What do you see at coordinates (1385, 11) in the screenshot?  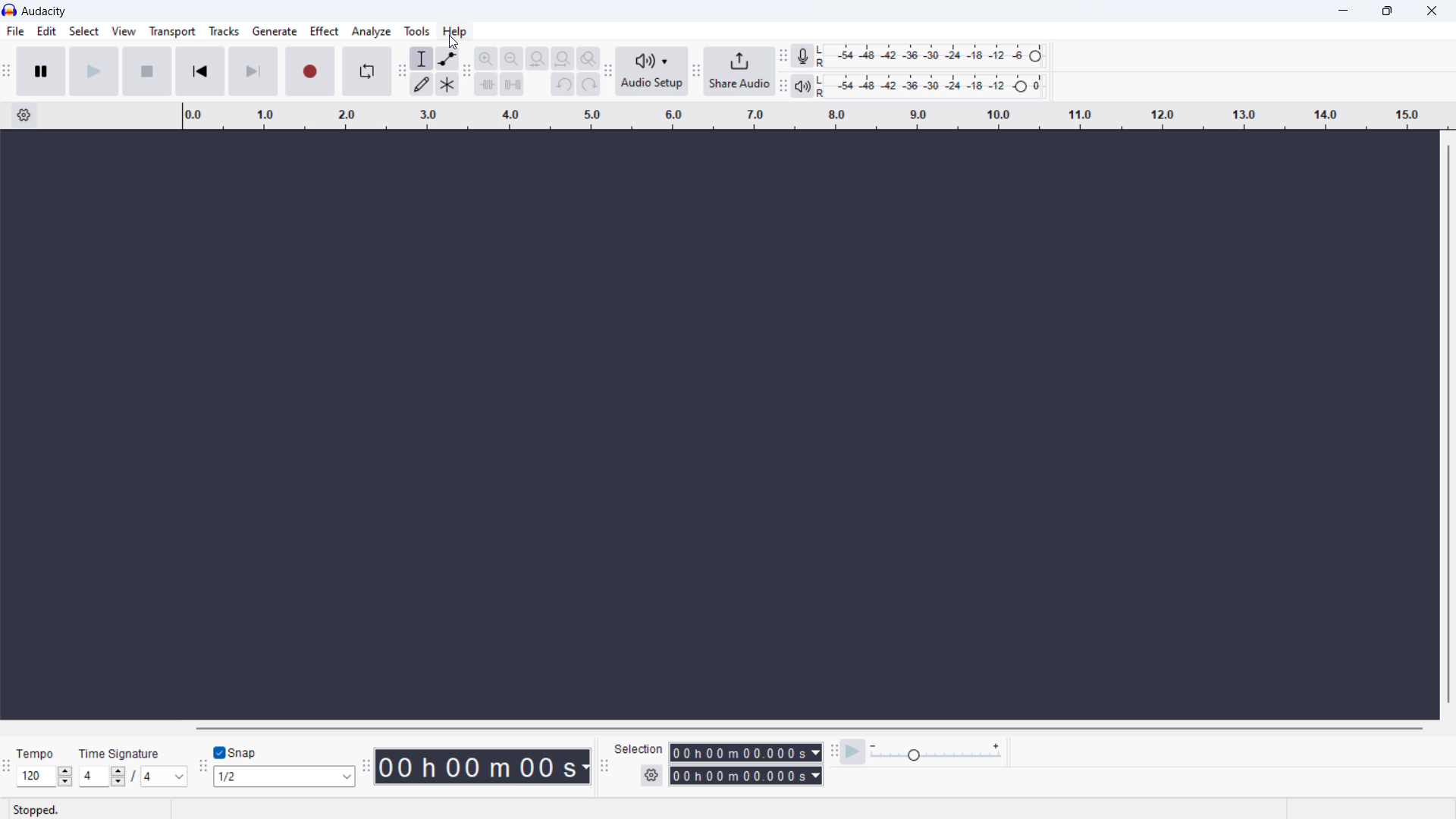 I see `maximize` at bounding box center [1385, 11].